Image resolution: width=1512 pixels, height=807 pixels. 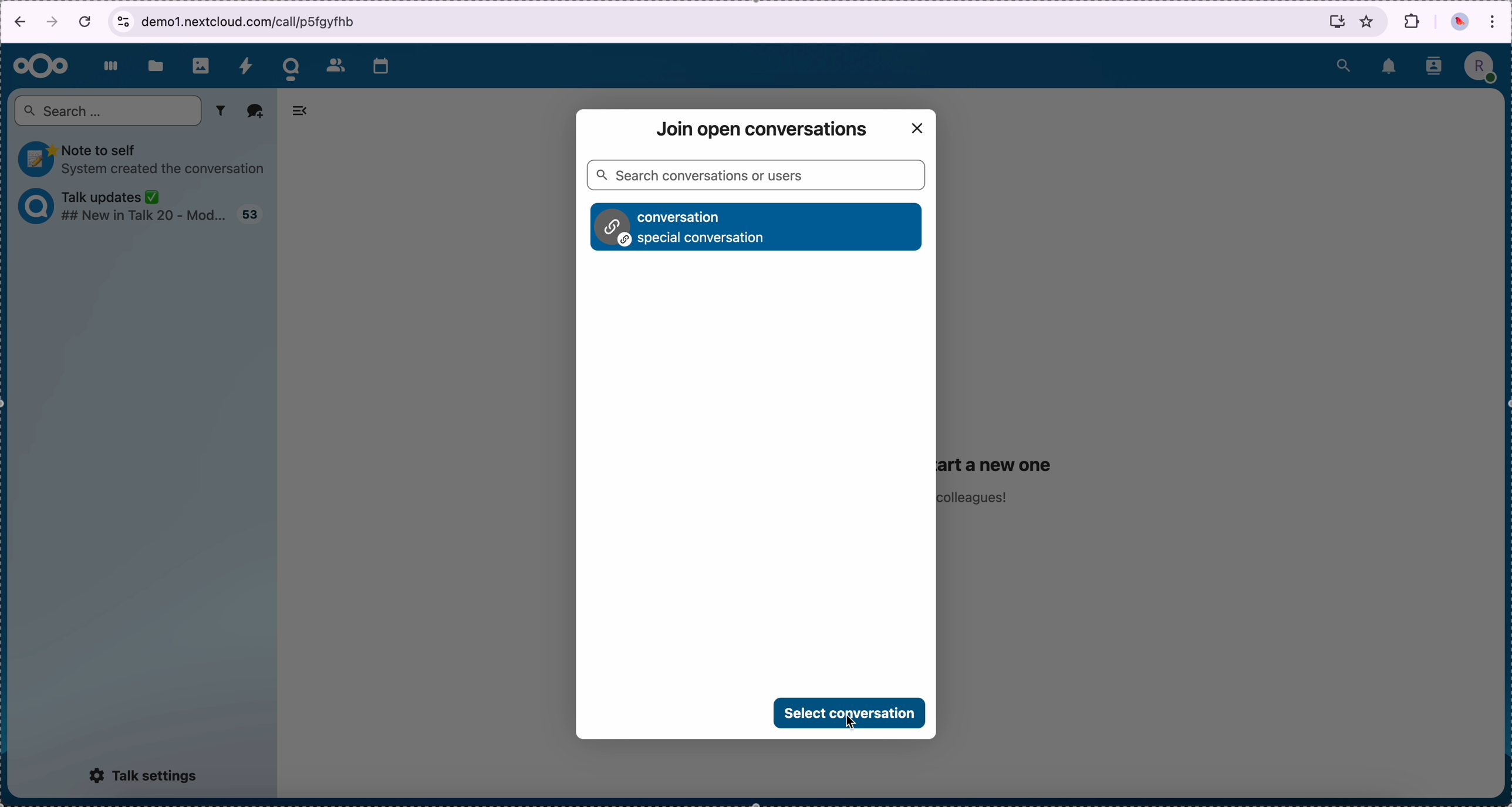 I want to click on notifications, so click(x=1389, y=67).